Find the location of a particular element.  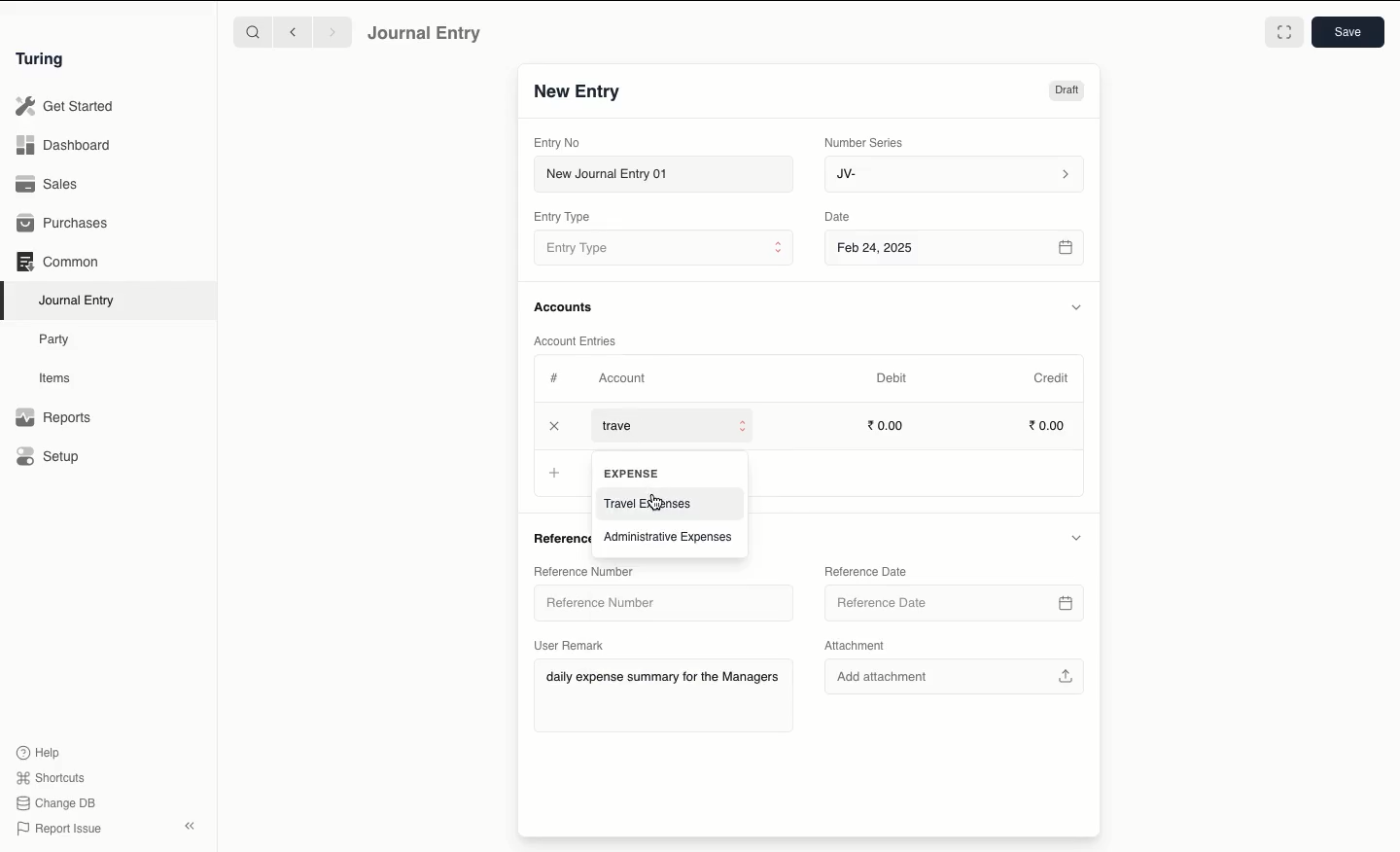

Forward is located at coordinates (333, 31).